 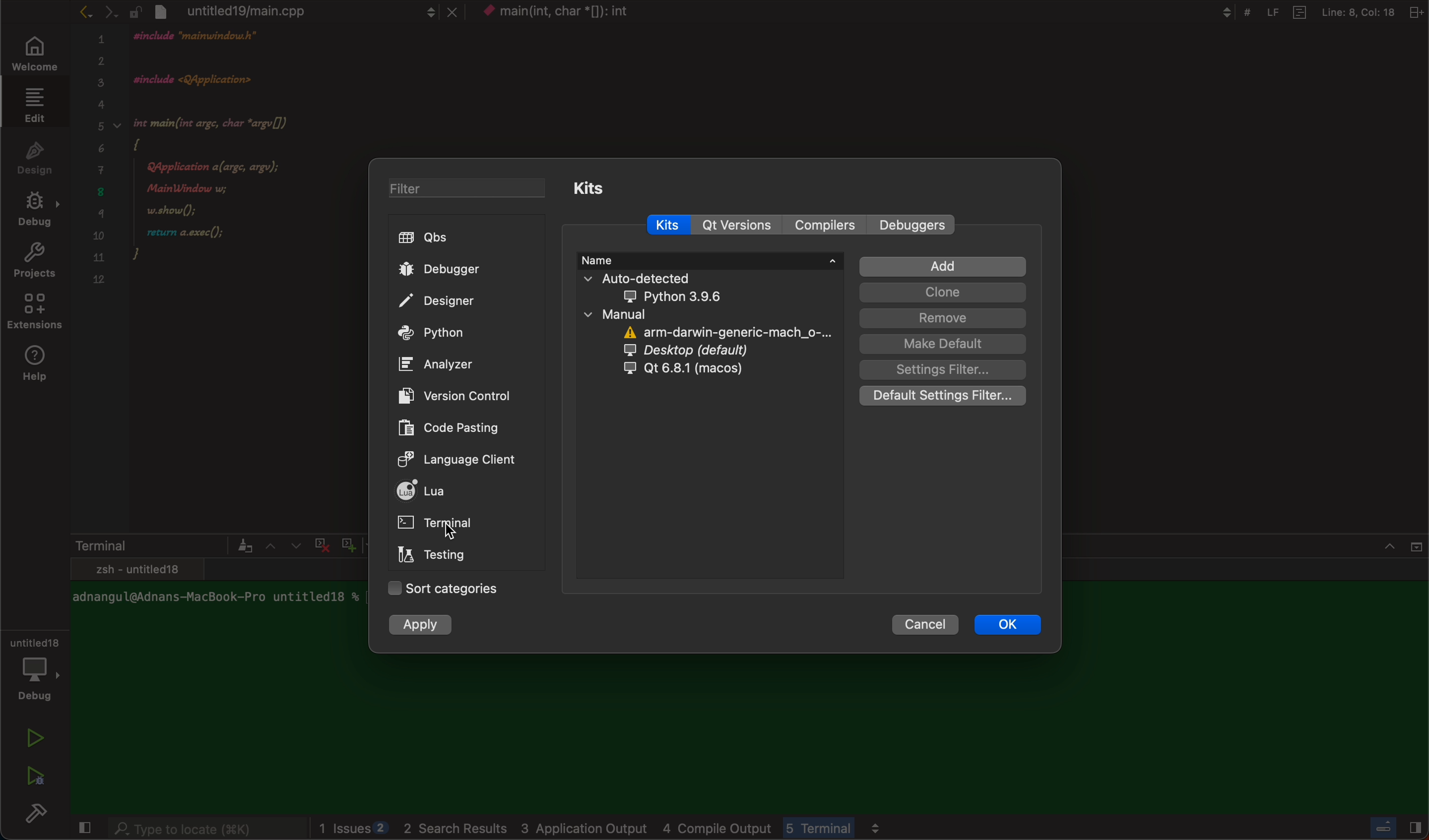 What do you see at coordinates (674, 829) in the screenshot?
I see `logs` at bounding box center [674, 829].